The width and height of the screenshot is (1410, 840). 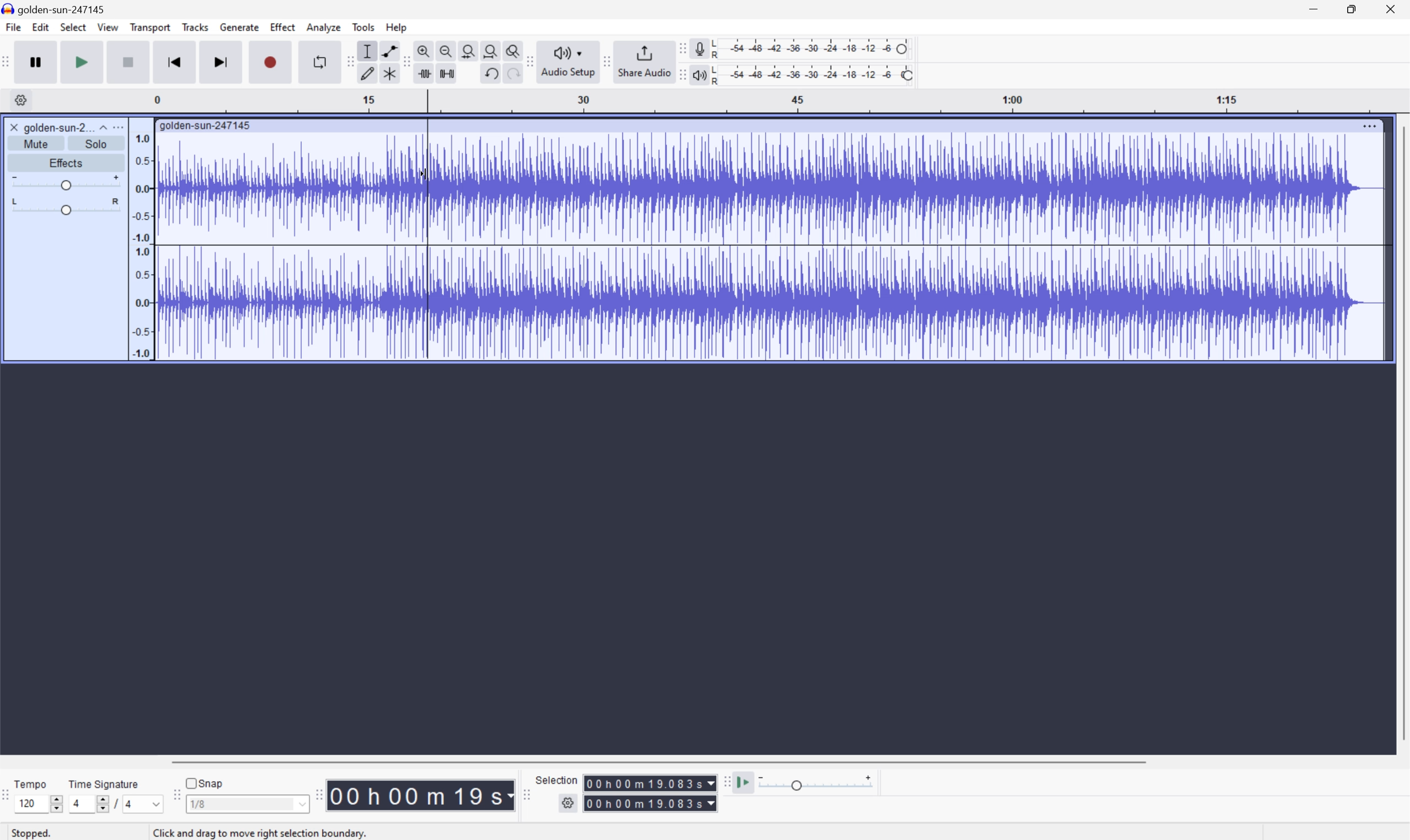 What do you see at coordinates (725, 782) in the screenshot?
I see `Audacity play at speed toolbar` at bounding box center [725, 782].